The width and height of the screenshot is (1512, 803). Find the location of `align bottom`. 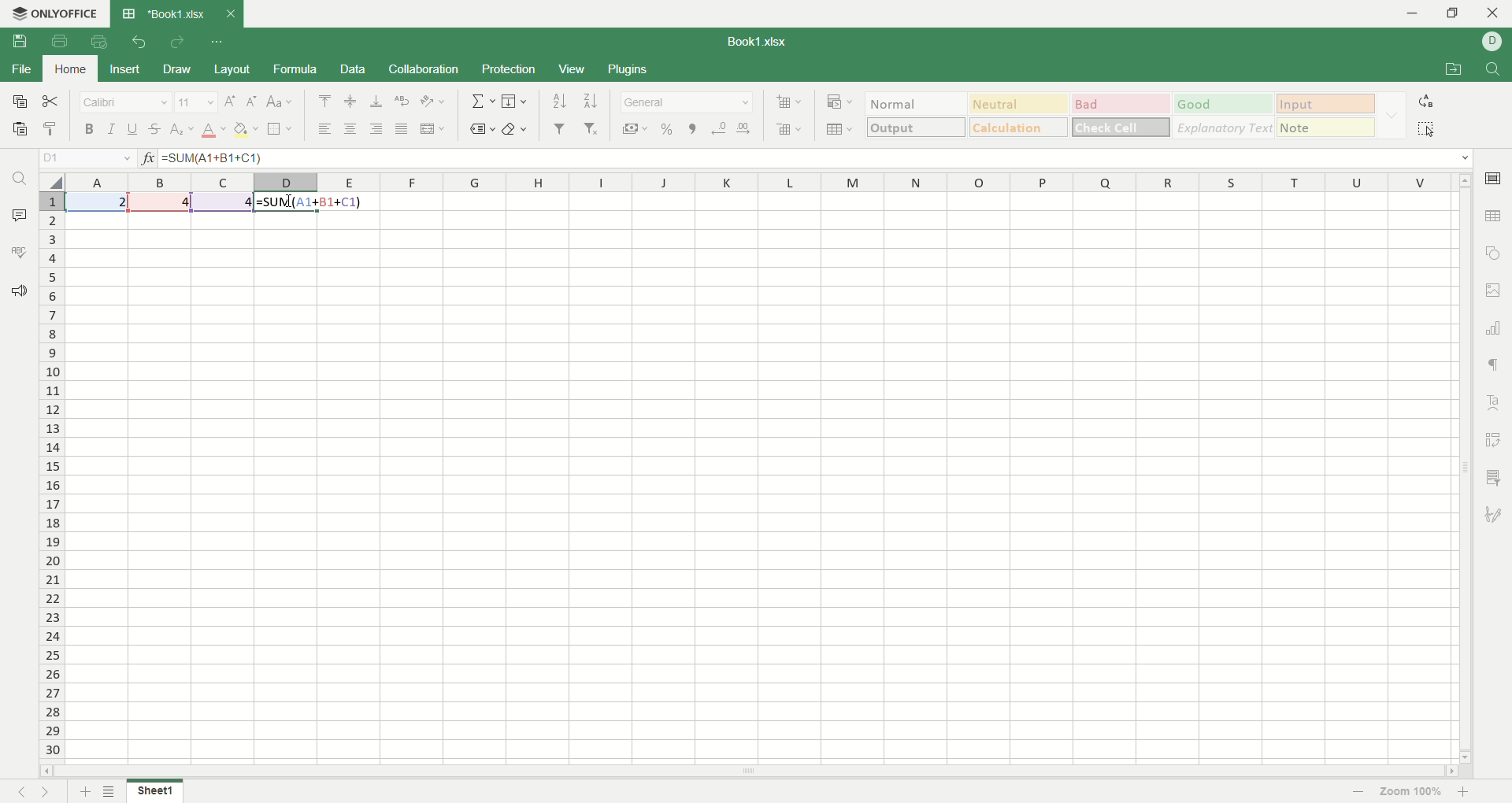

align bottom is located at coordinates (376, 101).